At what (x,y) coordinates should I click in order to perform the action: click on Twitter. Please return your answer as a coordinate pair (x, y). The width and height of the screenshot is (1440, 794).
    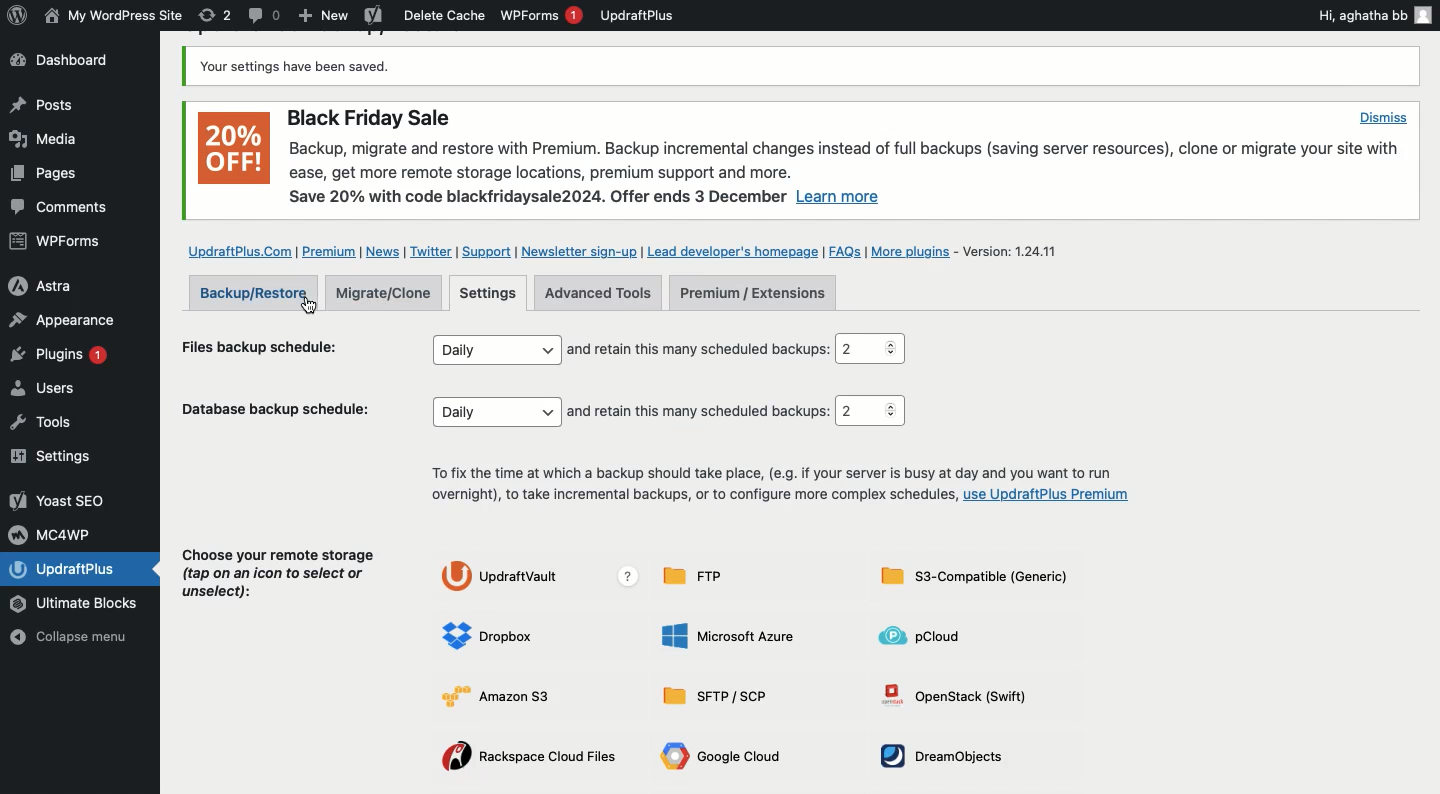
    Looking at the image, I should click on (432, 250).